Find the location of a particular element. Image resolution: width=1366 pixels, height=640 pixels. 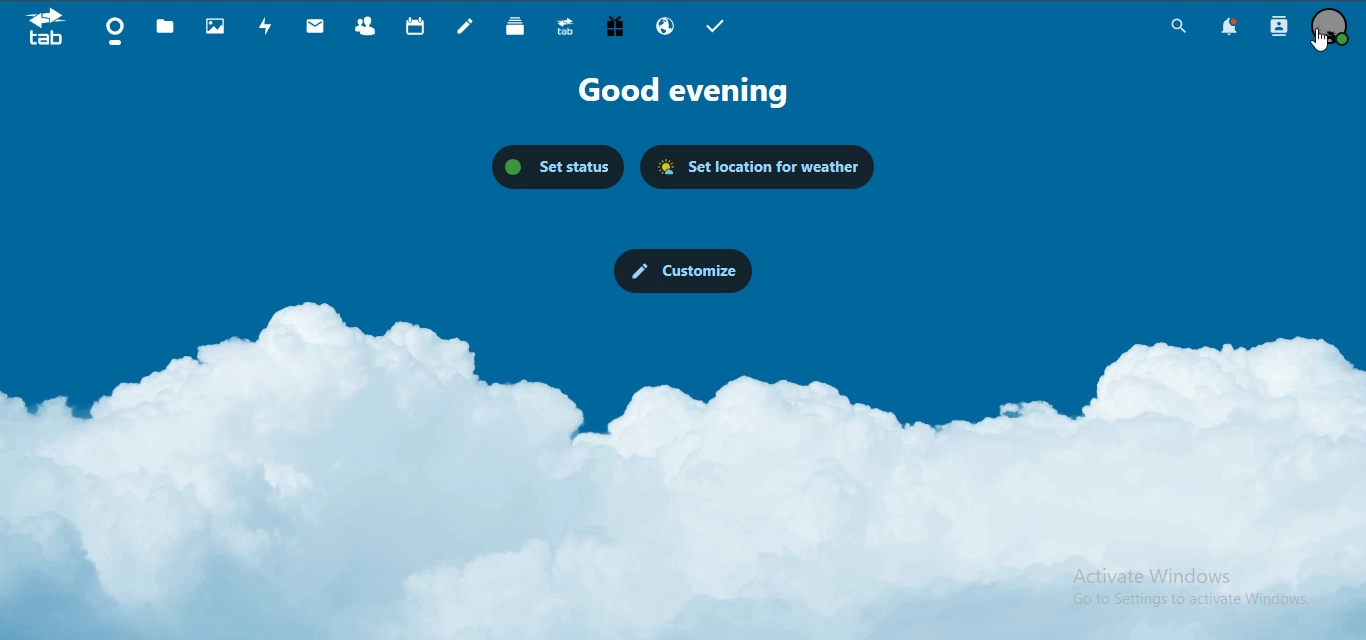

notes is located at coordinates (468, 28).